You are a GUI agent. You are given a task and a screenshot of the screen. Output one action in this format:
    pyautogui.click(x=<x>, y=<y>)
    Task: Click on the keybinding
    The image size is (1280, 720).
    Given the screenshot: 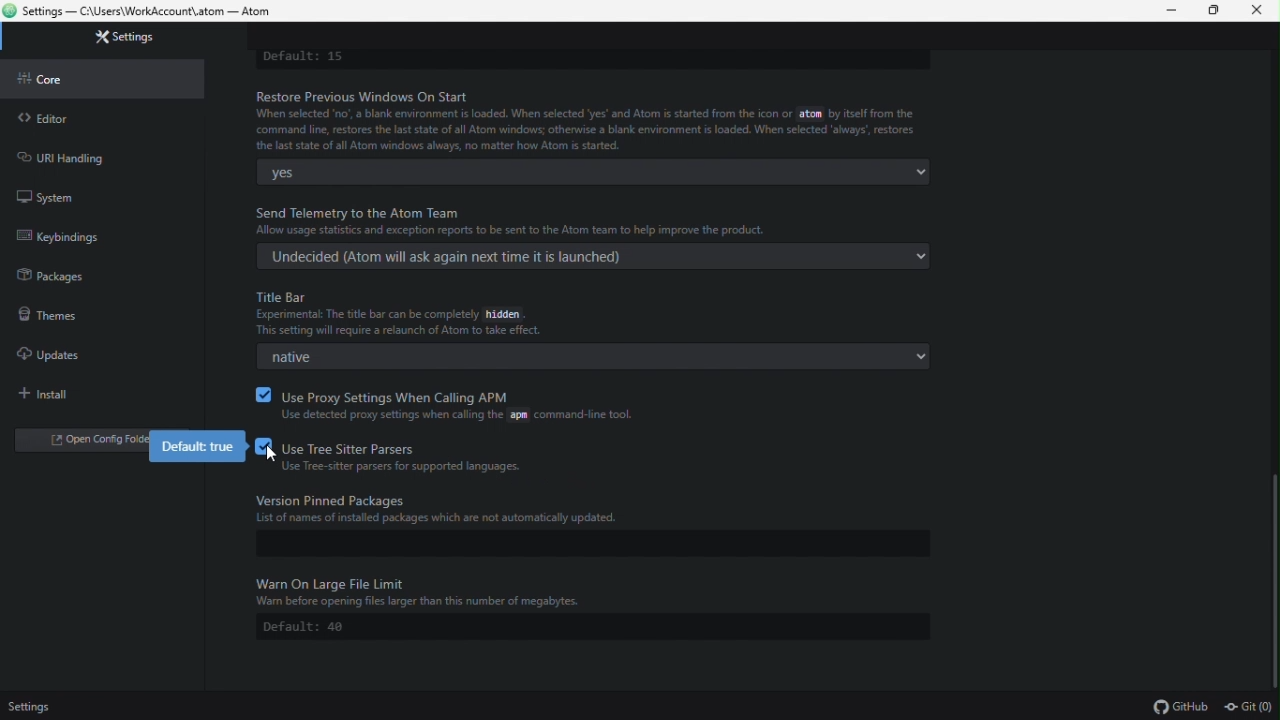 What is the action you would take?
    pyautogui.click(x=78, y=236)
    